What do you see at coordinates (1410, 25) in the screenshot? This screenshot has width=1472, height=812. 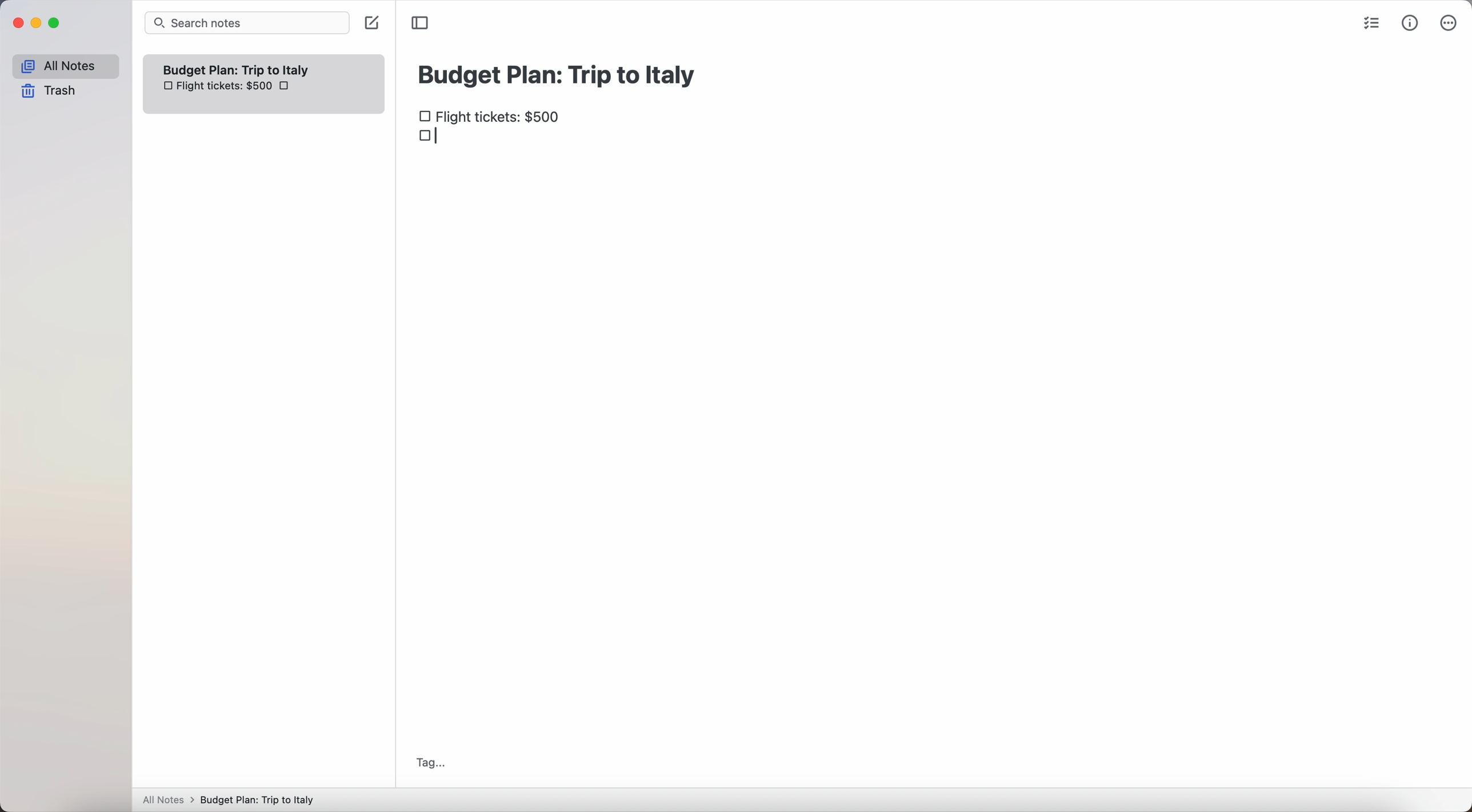 I see `metrics` at bounding box center [1410, 25].